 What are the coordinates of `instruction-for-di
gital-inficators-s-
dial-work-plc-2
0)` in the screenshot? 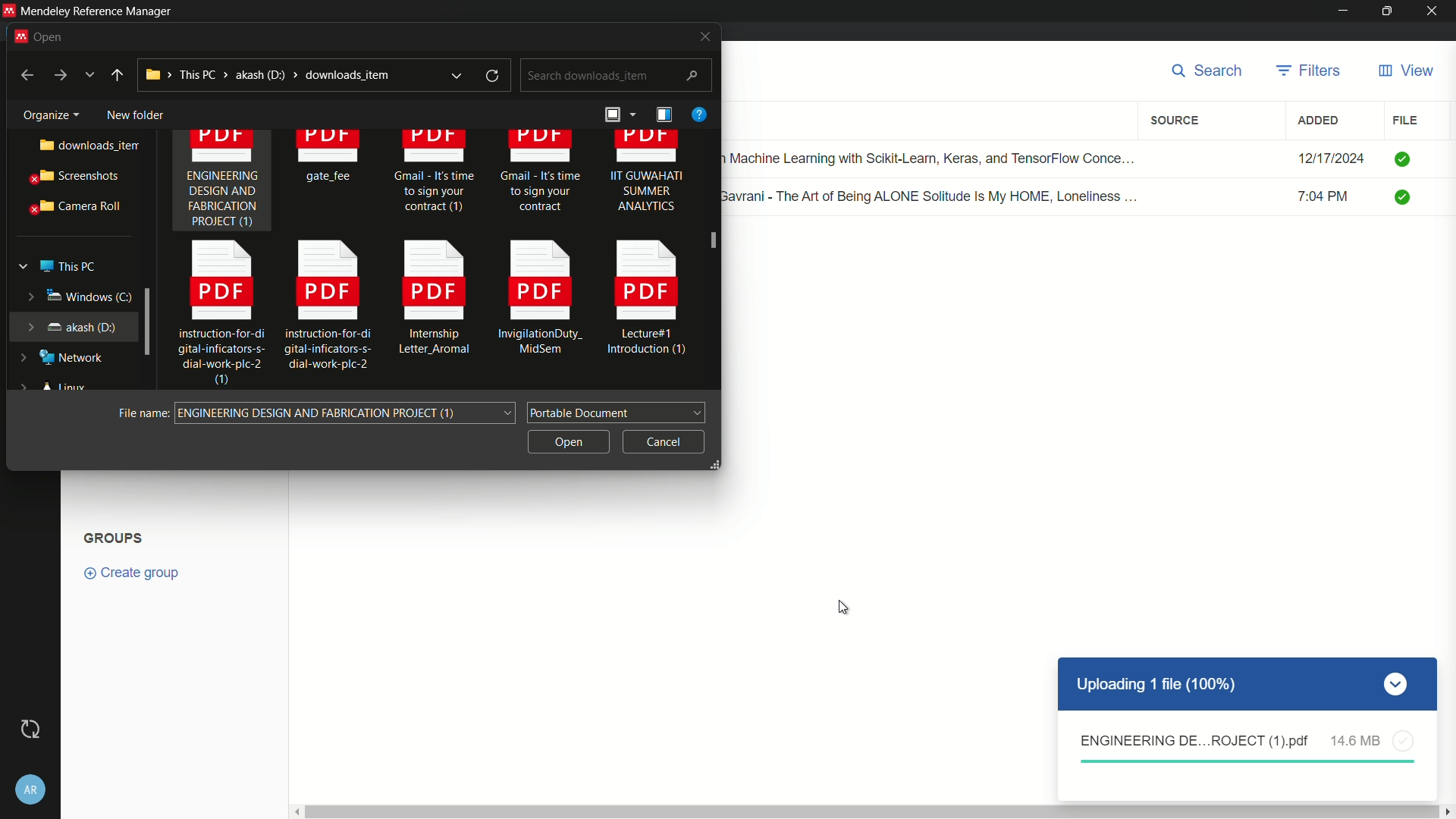 It's located at (214, 315).